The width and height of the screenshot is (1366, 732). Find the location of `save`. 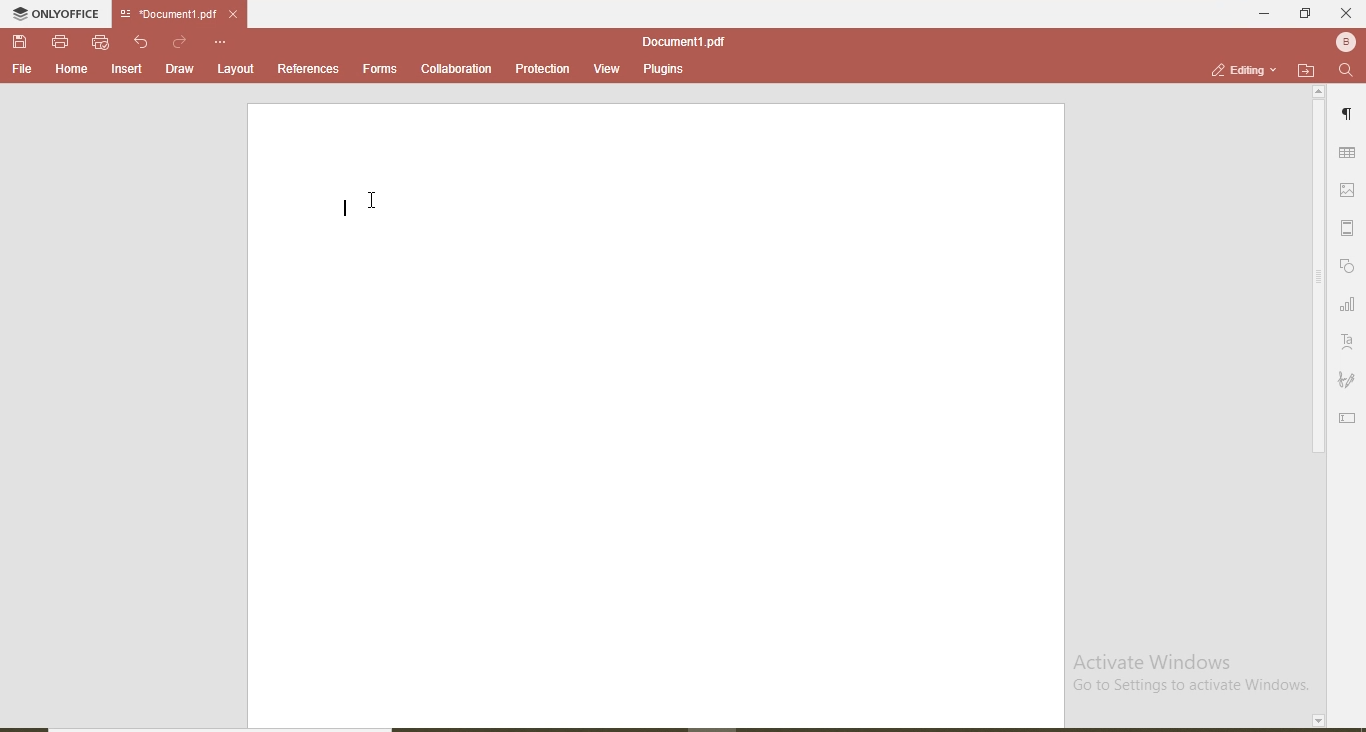

save is located at coordinates (22, 43).